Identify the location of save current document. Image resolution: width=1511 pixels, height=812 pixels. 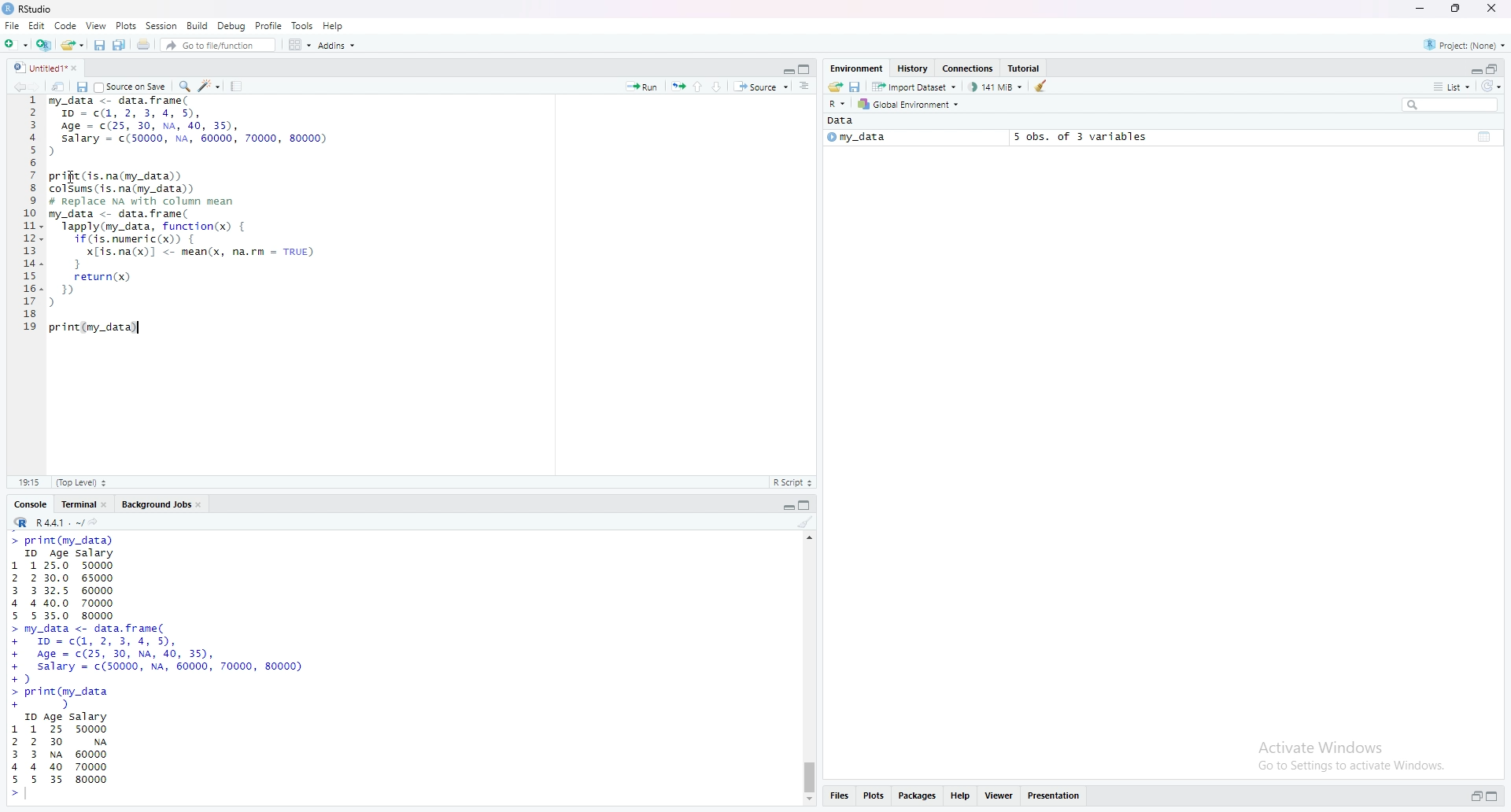
(98, 46).